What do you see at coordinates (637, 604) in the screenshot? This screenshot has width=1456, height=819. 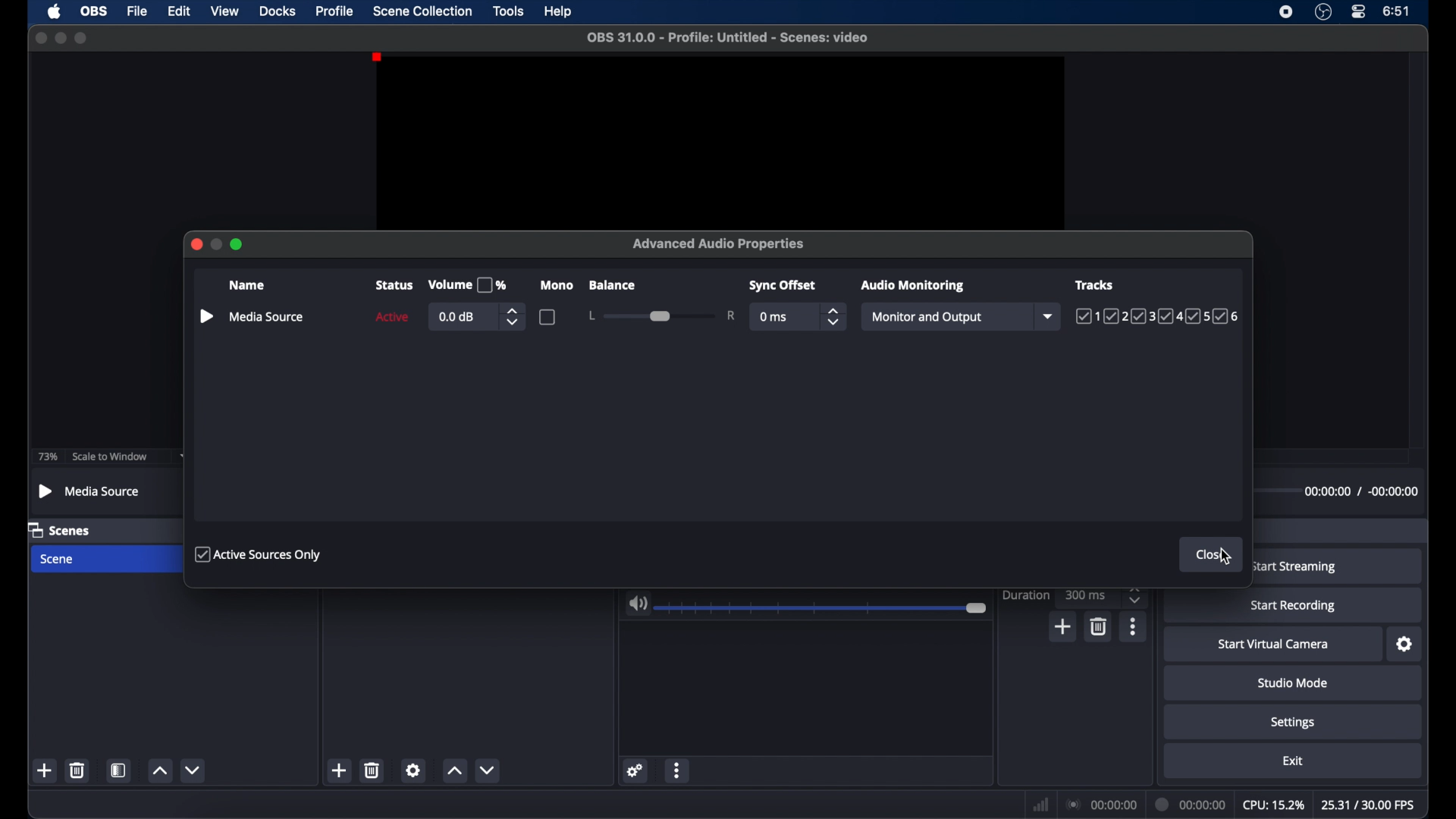 I see `volume` at bounding box center [637, 604].